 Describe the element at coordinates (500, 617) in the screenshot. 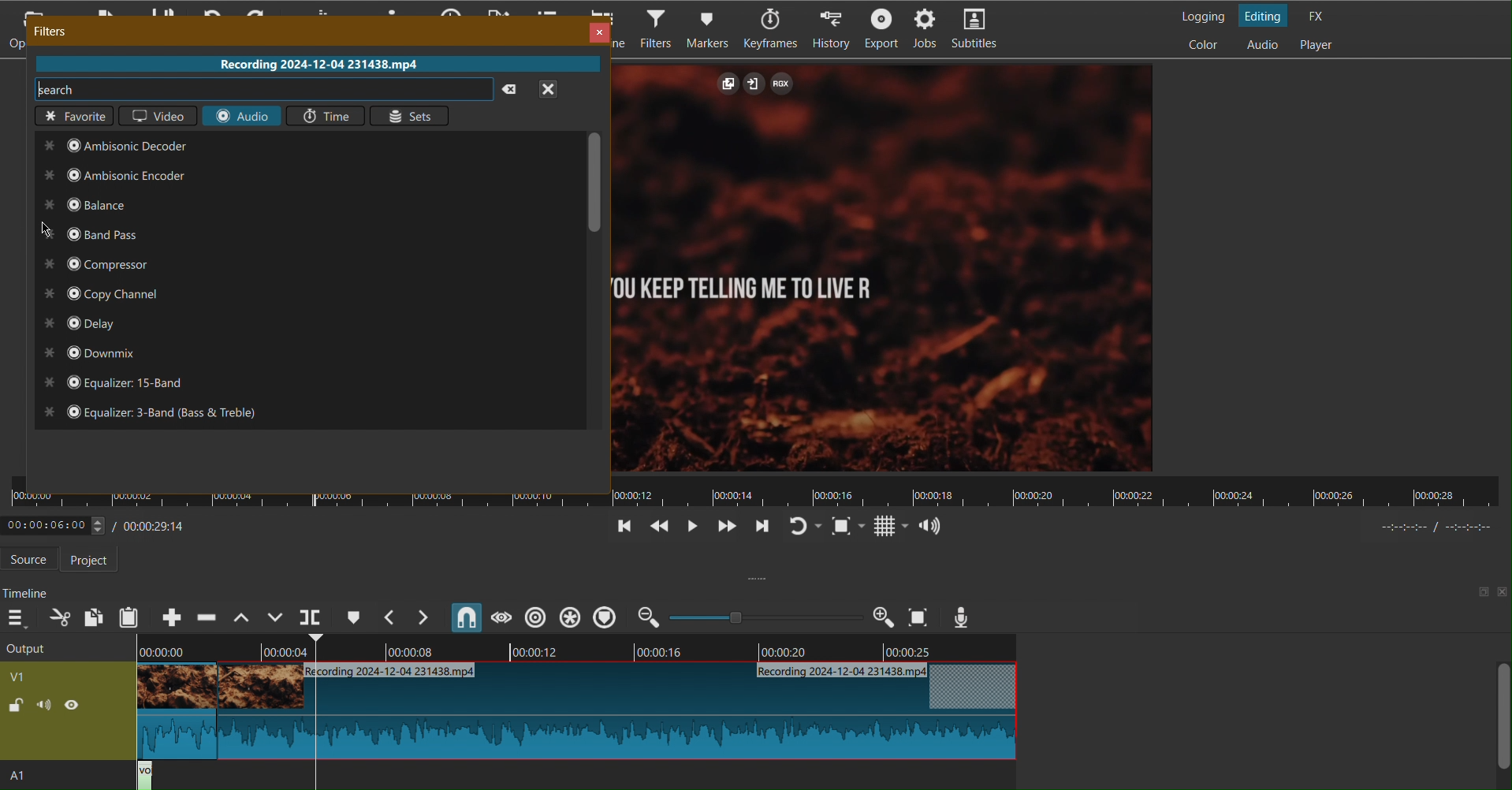

I see `Scrub` at that location.